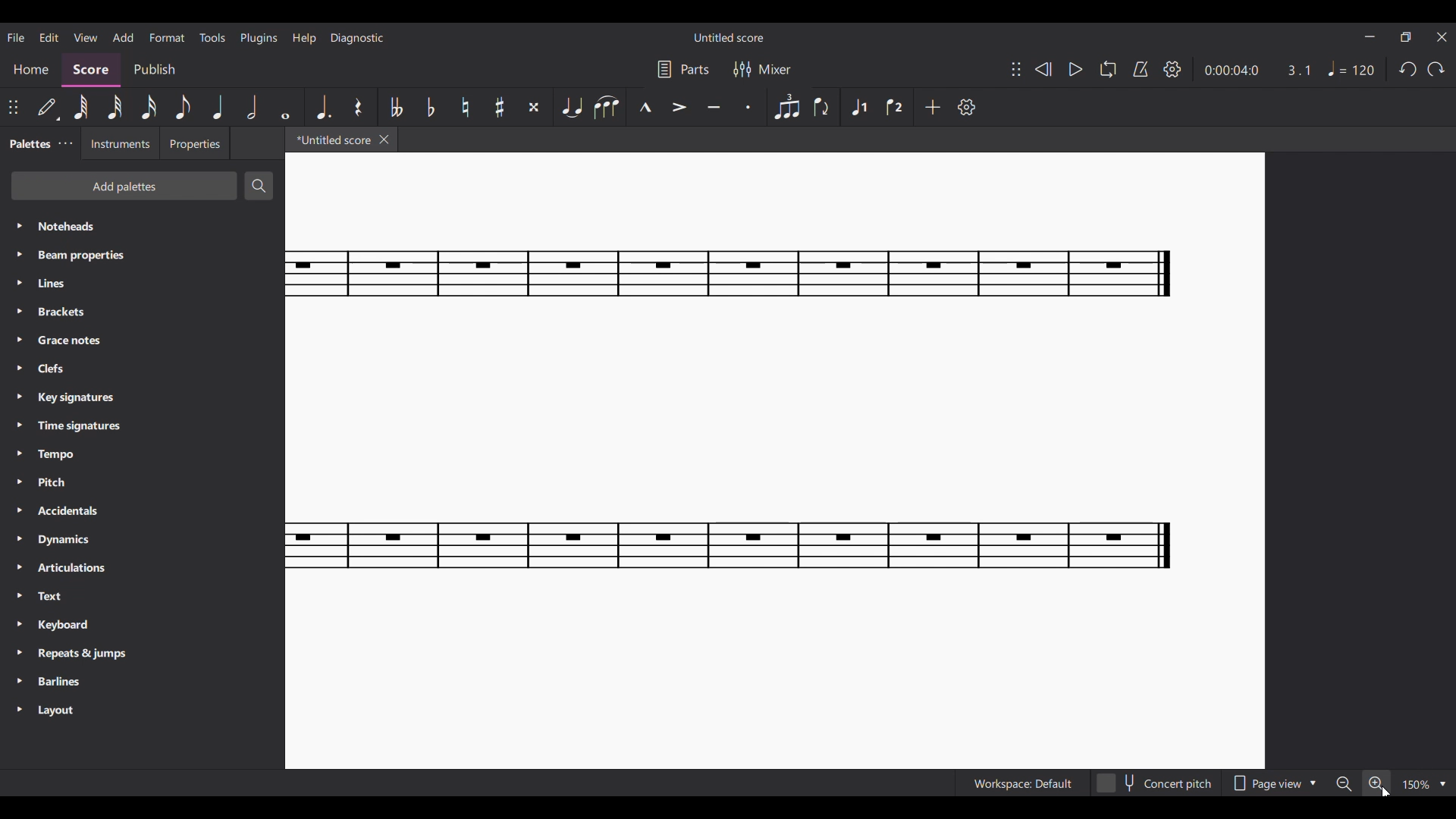 This screenshot has height=819, width=1456. What do you see at coordinates (395, 107) in the screenshot?
I see `Toggle double flat` at bounding box center [395, 107].